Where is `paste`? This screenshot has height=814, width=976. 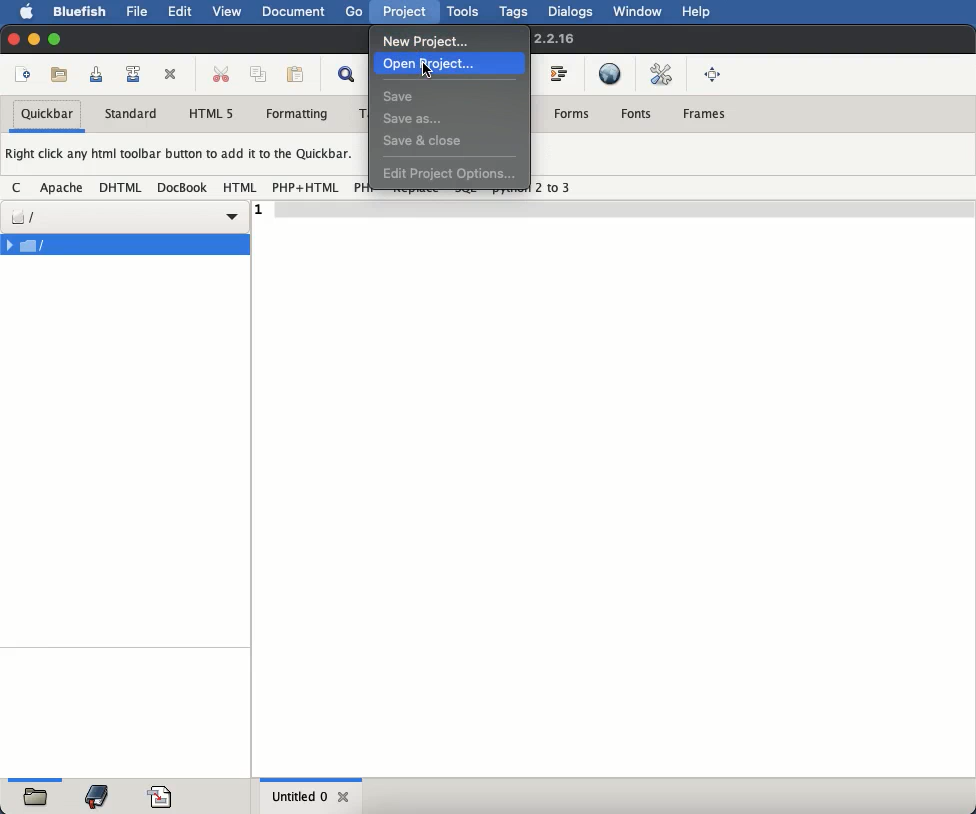
paste is located at coordinates (297, 74).